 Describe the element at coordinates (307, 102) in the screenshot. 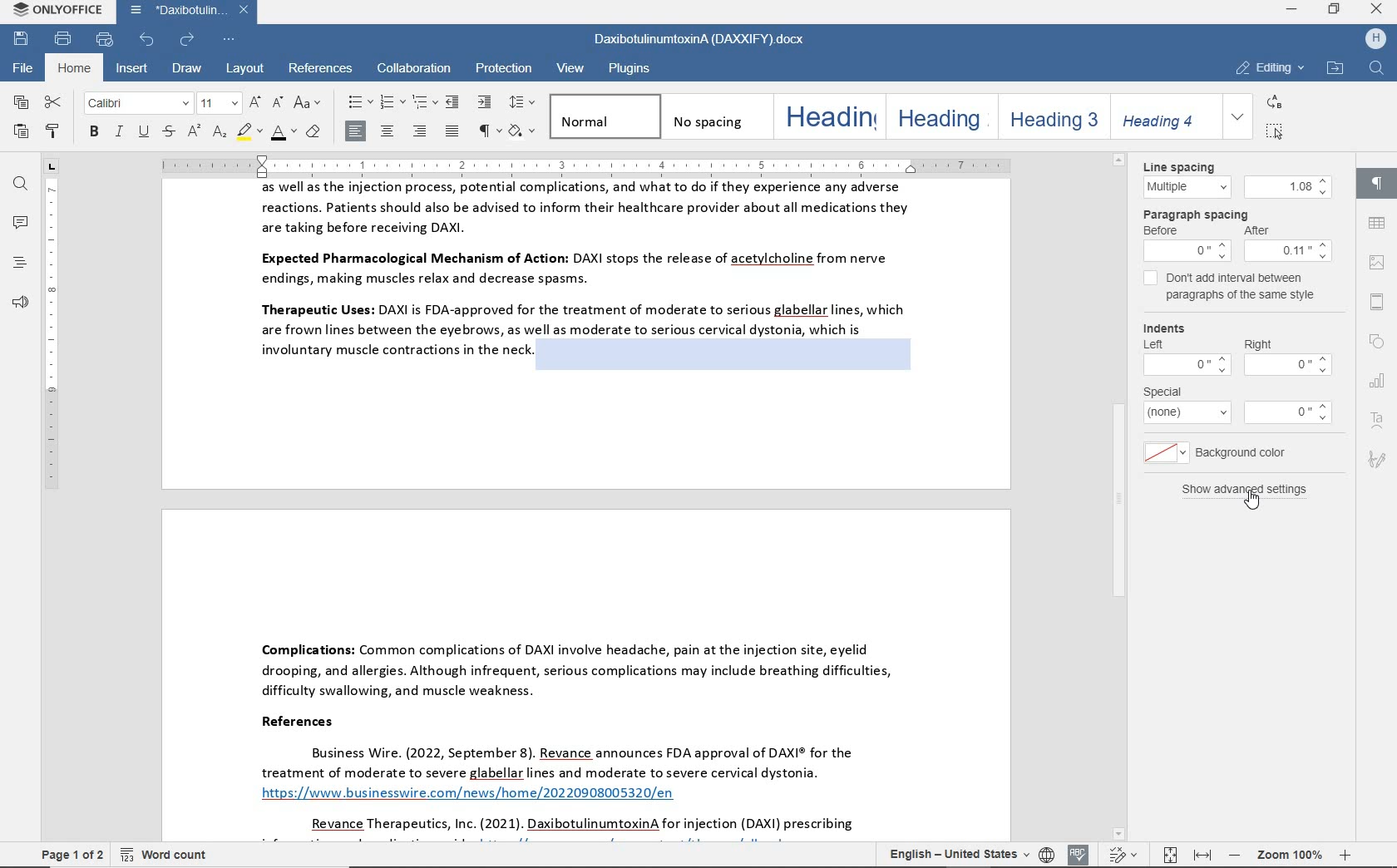

I see `change case` at that location.